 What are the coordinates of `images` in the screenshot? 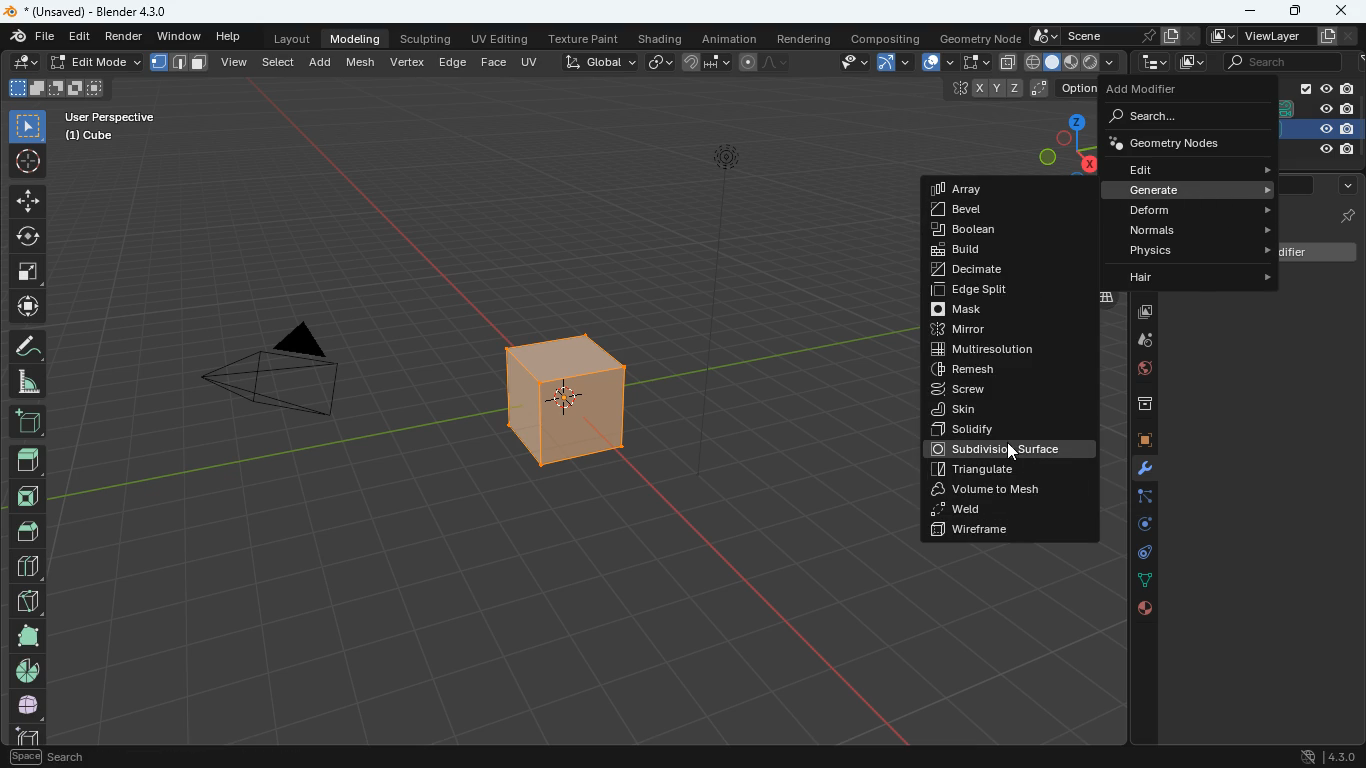 It's located at (1140, 314).